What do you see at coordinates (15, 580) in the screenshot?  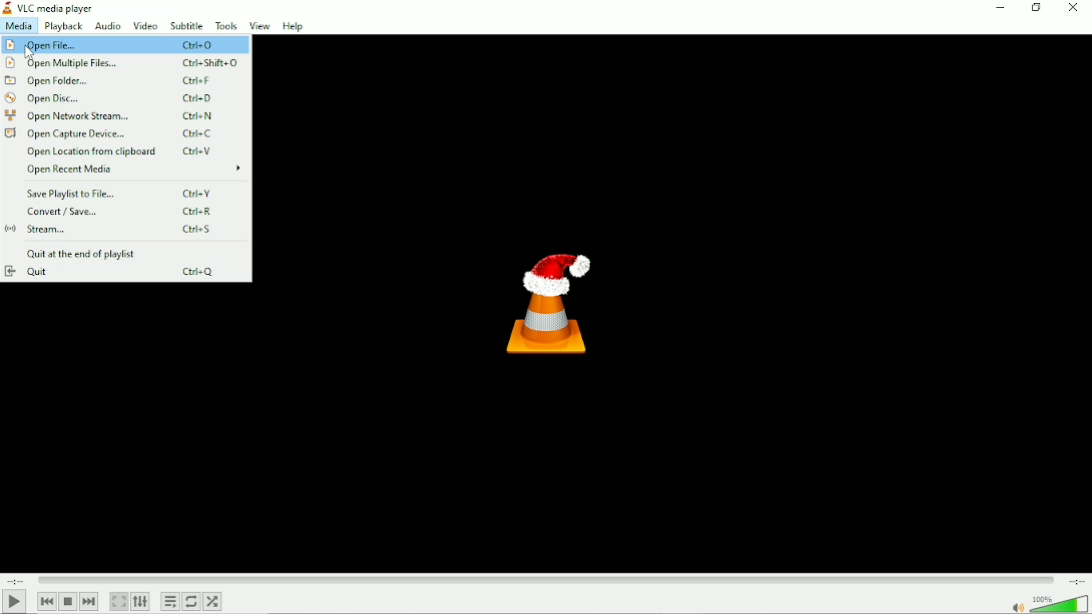 I see `Elapsed time` at bounding box center [15, 580].